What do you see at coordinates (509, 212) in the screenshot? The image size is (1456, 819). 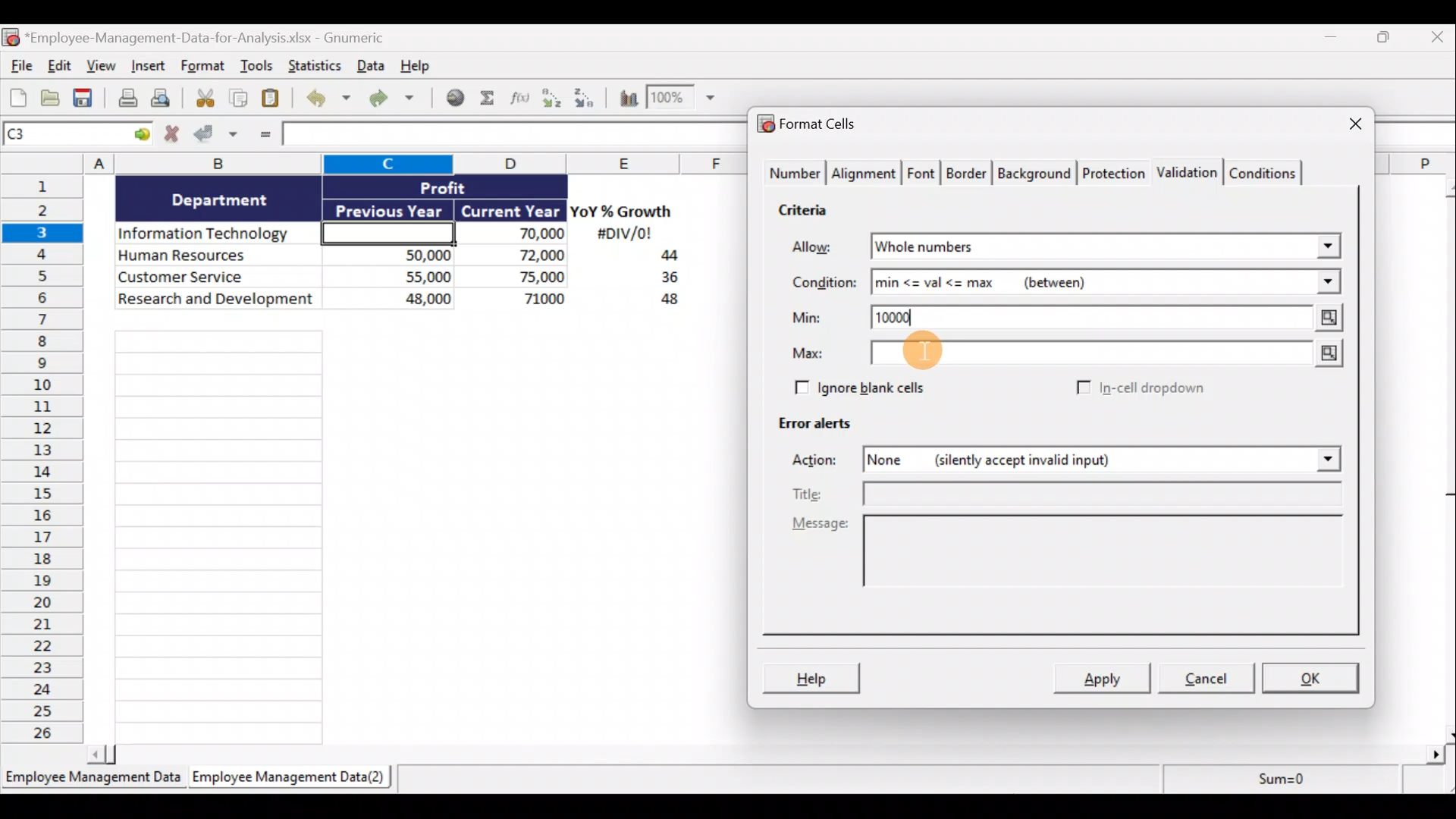 I see `Current Year` at bounding box center [509, 212].